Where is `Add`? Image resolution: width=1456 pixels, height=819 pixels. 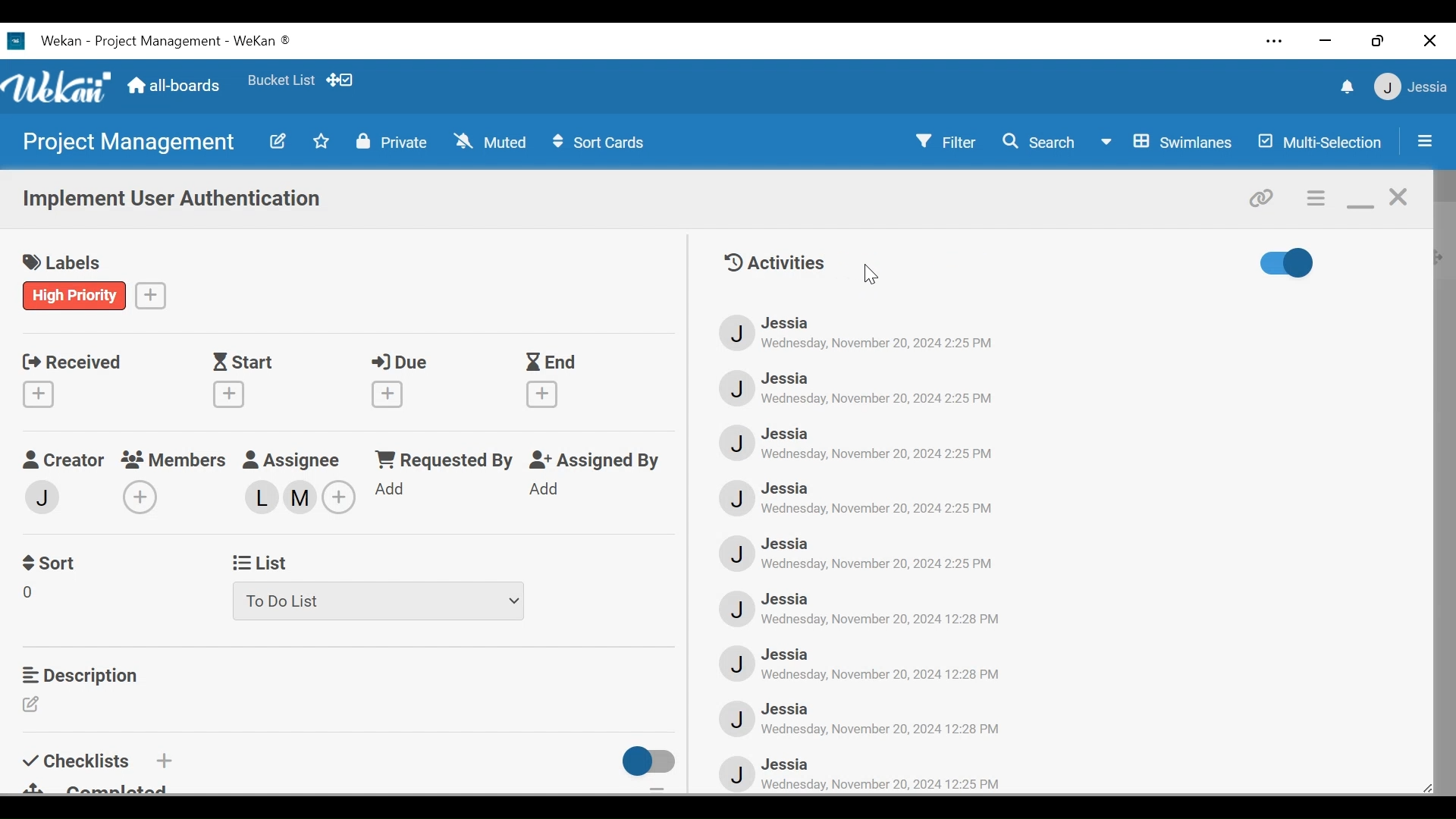
Add is located at coordinates (548, 488).